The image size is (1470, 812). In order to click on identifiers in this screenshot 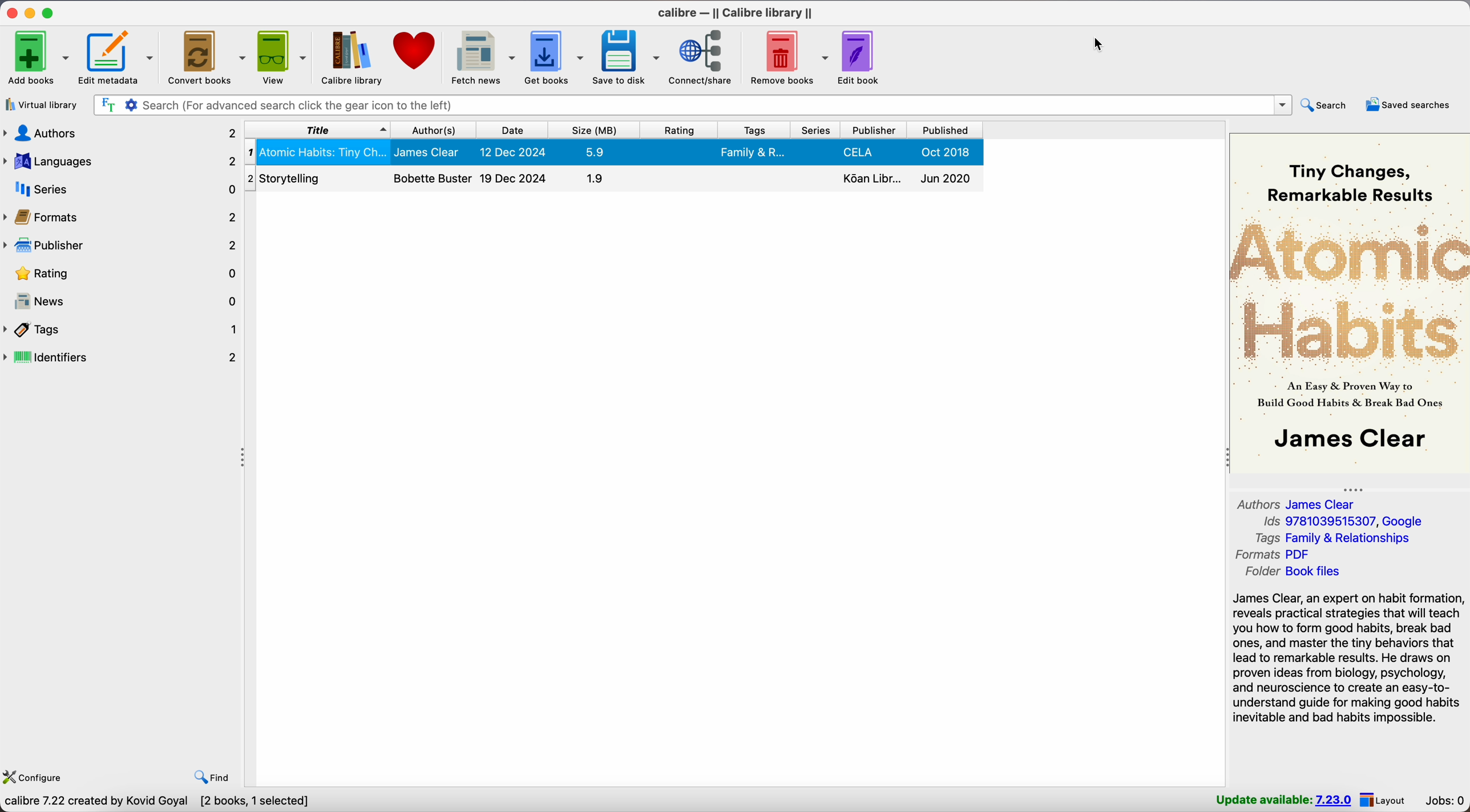, I will do `click(123, 358)`.